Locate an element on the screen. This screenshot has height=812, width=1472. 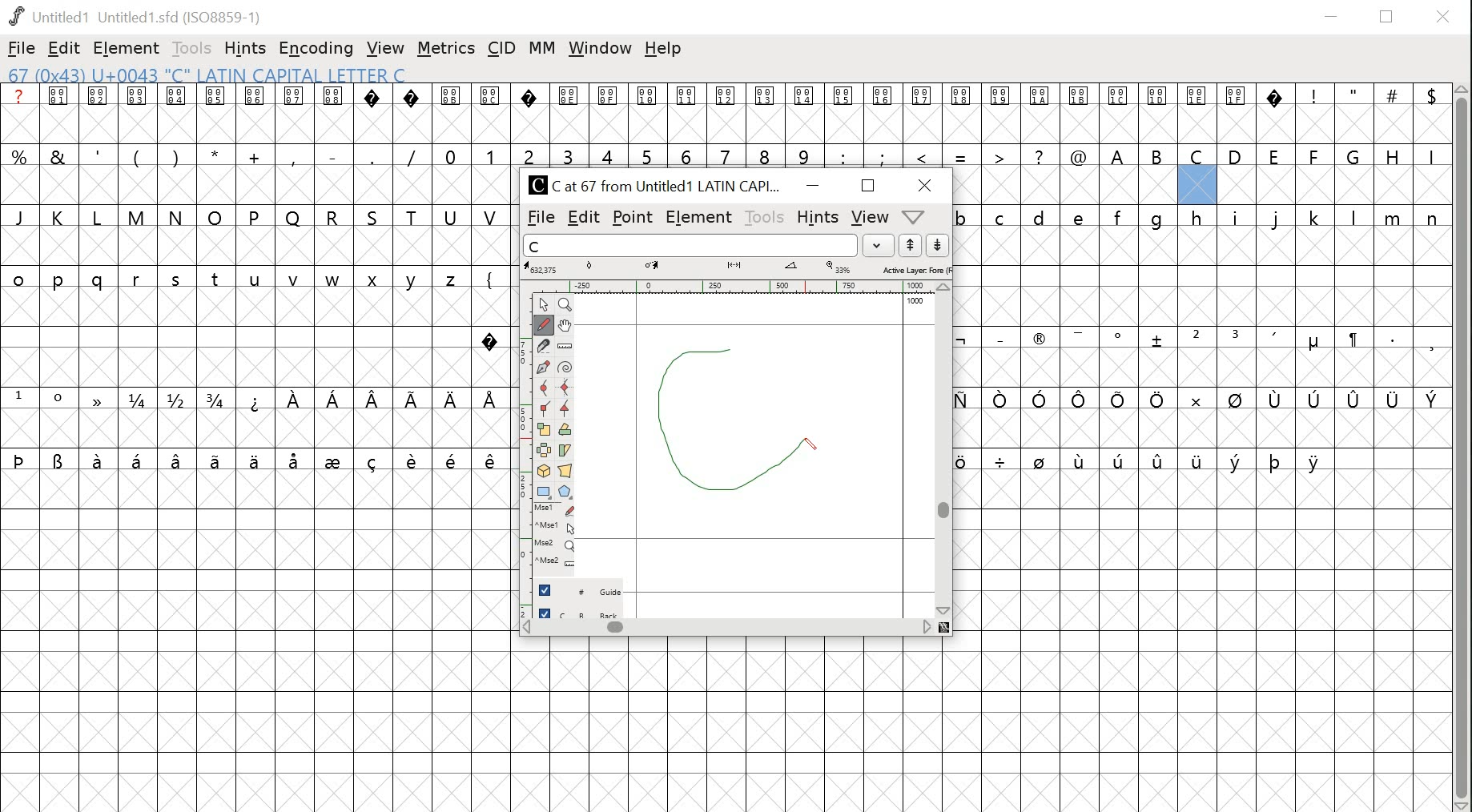
flip is located at coordinates (547, 450).